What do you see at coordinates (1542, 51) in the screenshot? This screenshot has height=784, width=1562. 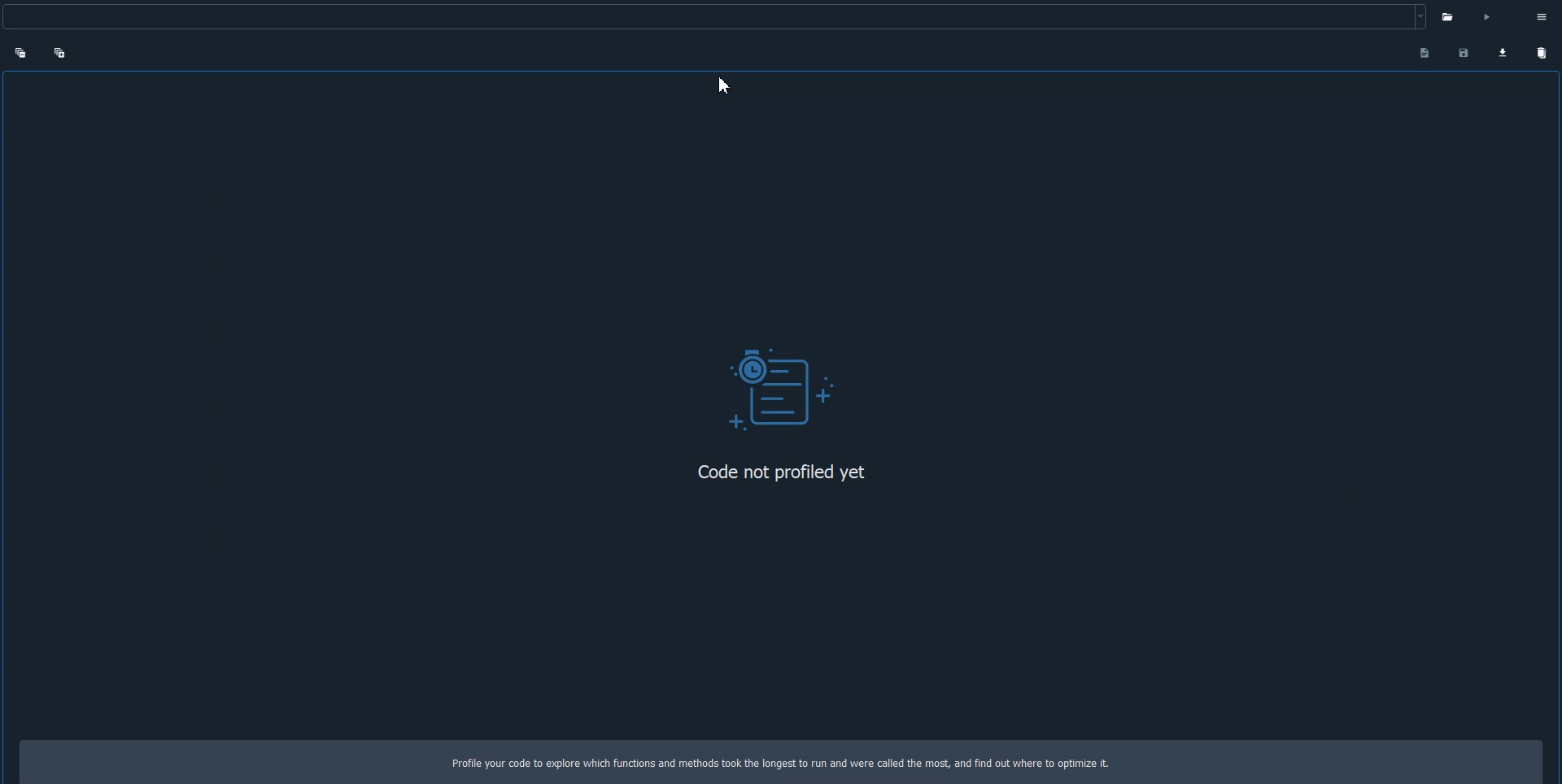 I see `Clear Comparison` at bounding box center [1542, 51].